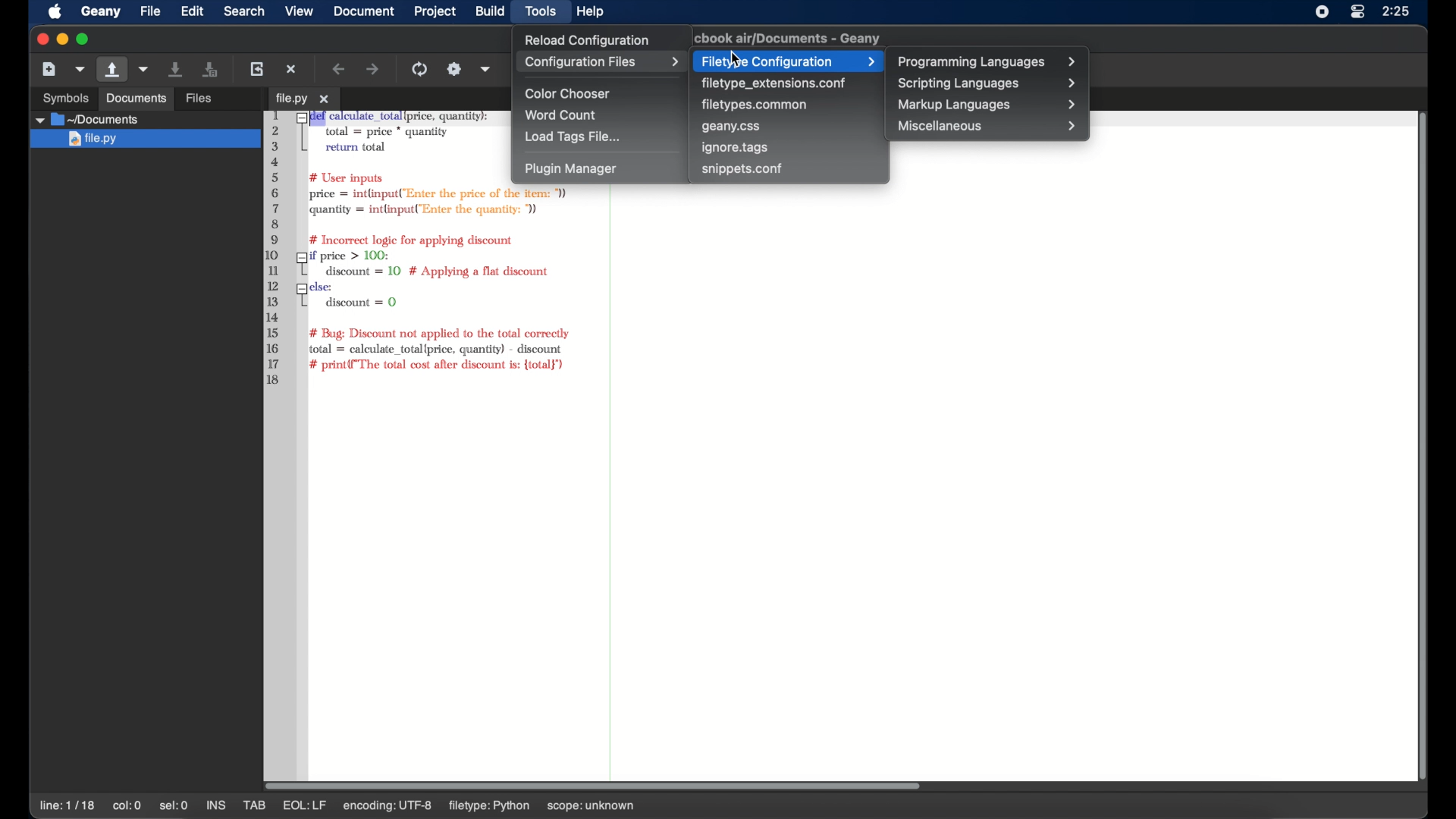  What do you see at coordinates (381, 249) in the screenshot?
I see `python syntax` at bounding box center [381, 249].